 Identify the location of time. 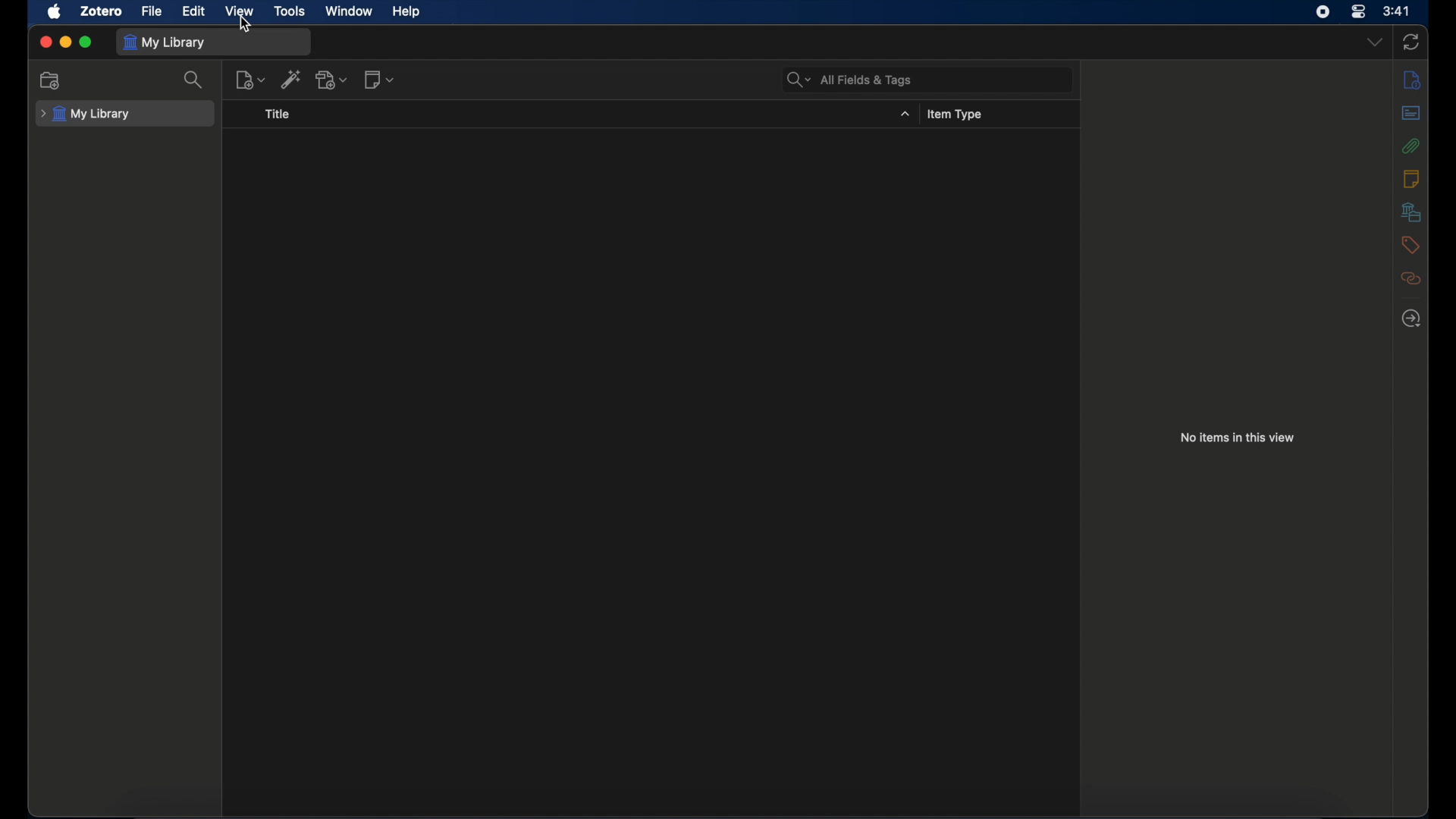
(1398, 11).